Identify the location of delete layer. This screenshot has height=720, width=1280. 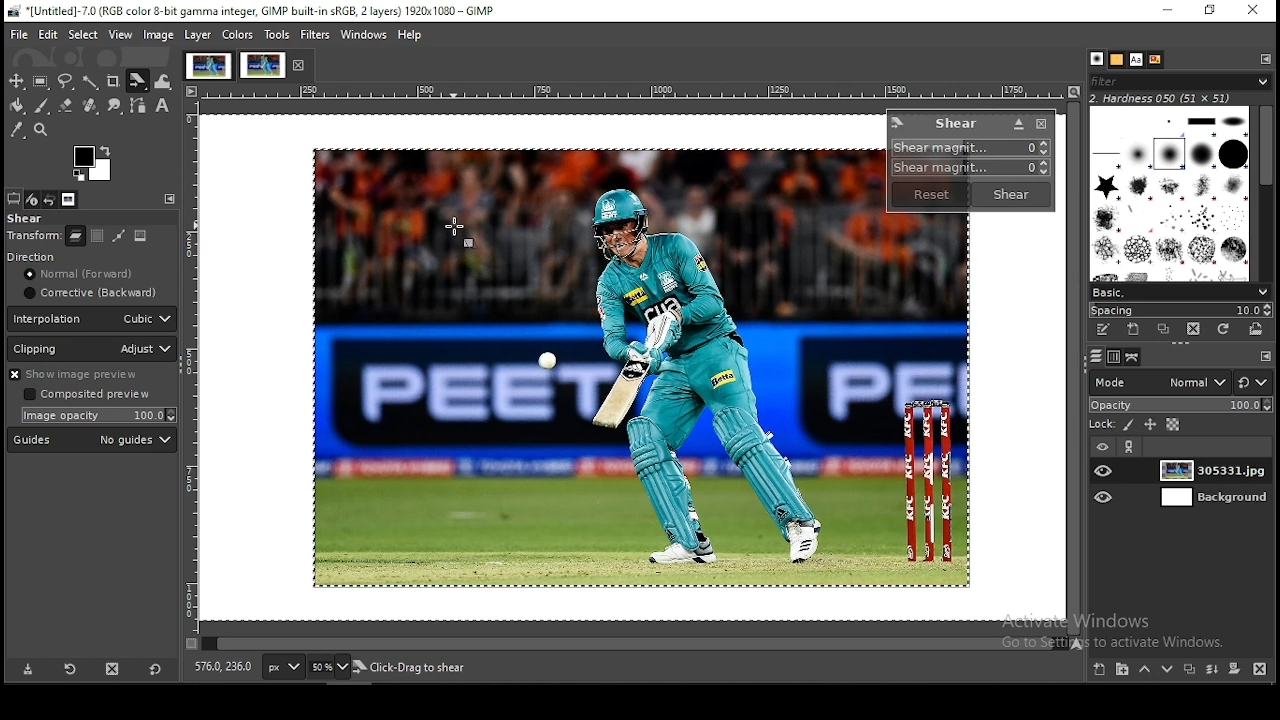
(1261, 669).